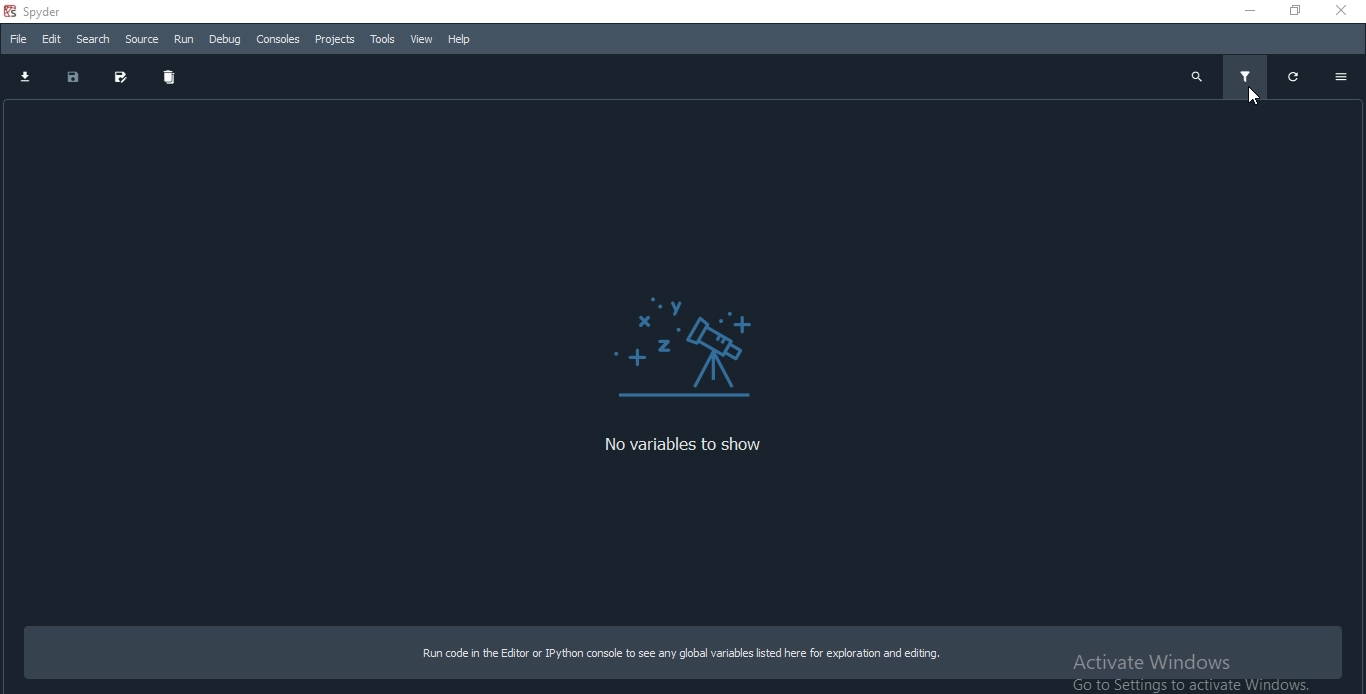 The height and width of the screenshot is (694, 1366). Describe the element at coordinates (223, 38) in the screenshot. I see `Debug` at that location.